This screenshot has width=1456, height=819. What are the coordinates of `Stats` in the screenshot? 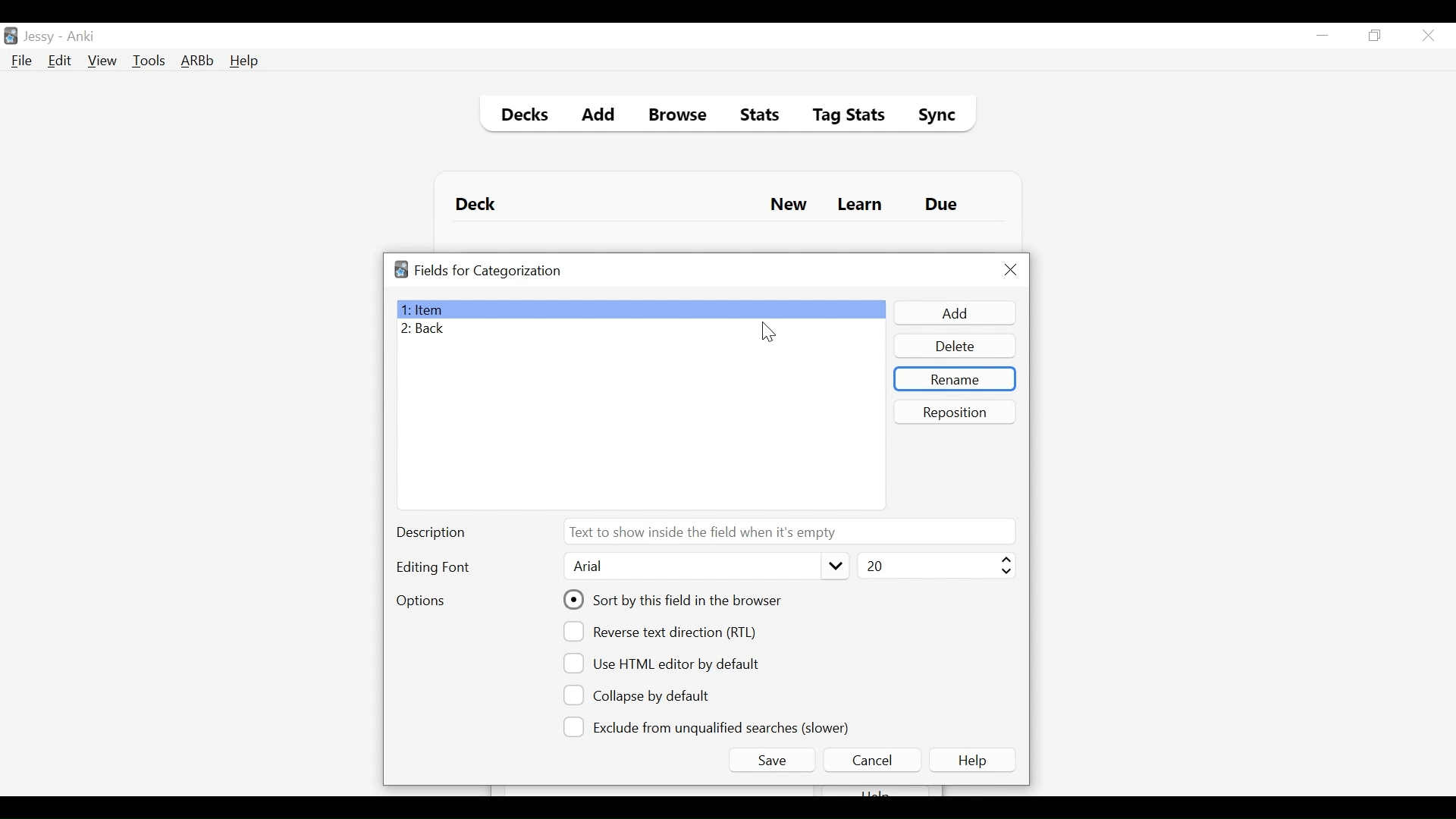 It's located at (755, 115).